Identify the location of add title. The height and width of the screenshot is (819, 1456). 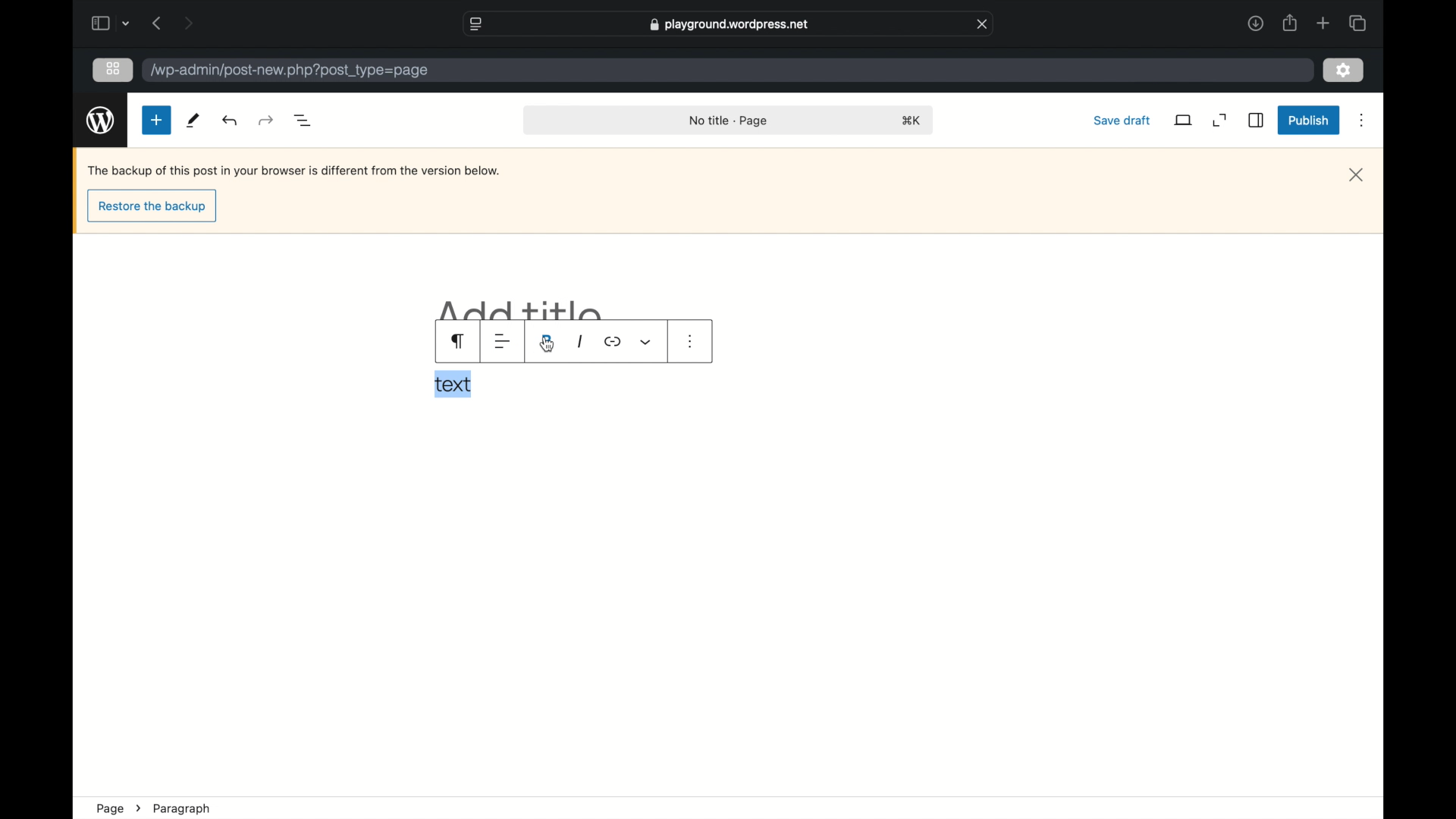
(522, 309).